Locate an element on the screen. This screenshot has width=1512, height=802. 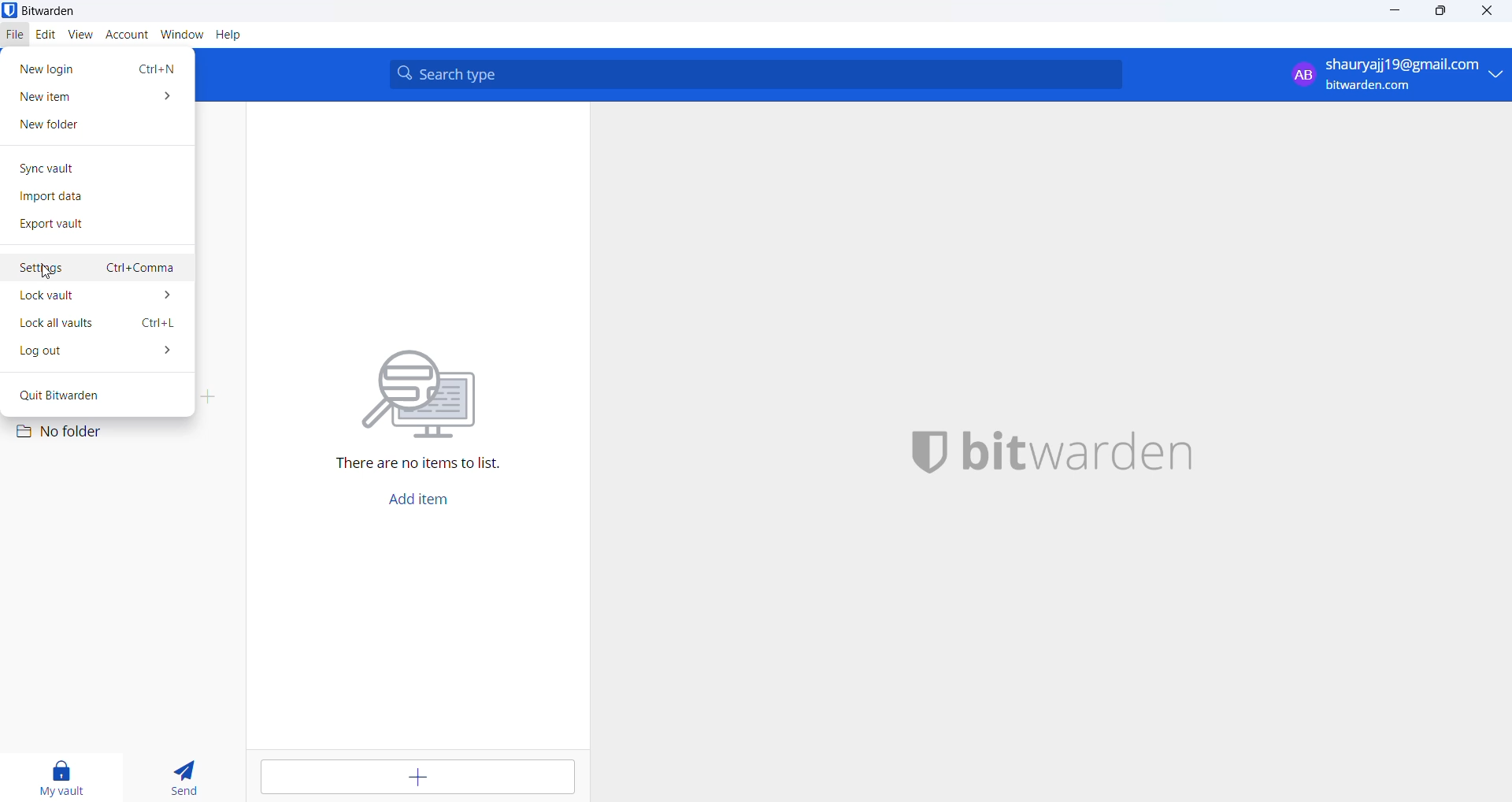
bitwarden logo is located at coordinates (46, 11).